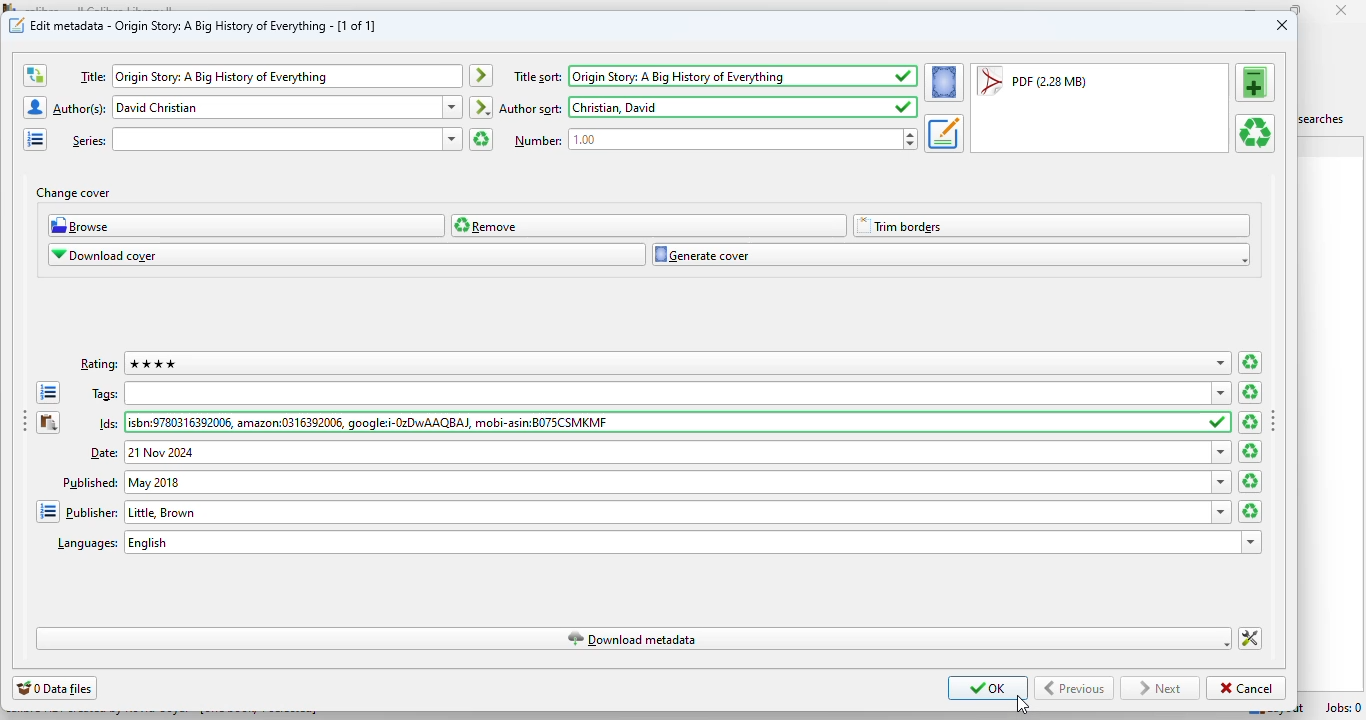 The height and width of the screenshot is (720, 1366). I want to click on browse, so click(246, 225).